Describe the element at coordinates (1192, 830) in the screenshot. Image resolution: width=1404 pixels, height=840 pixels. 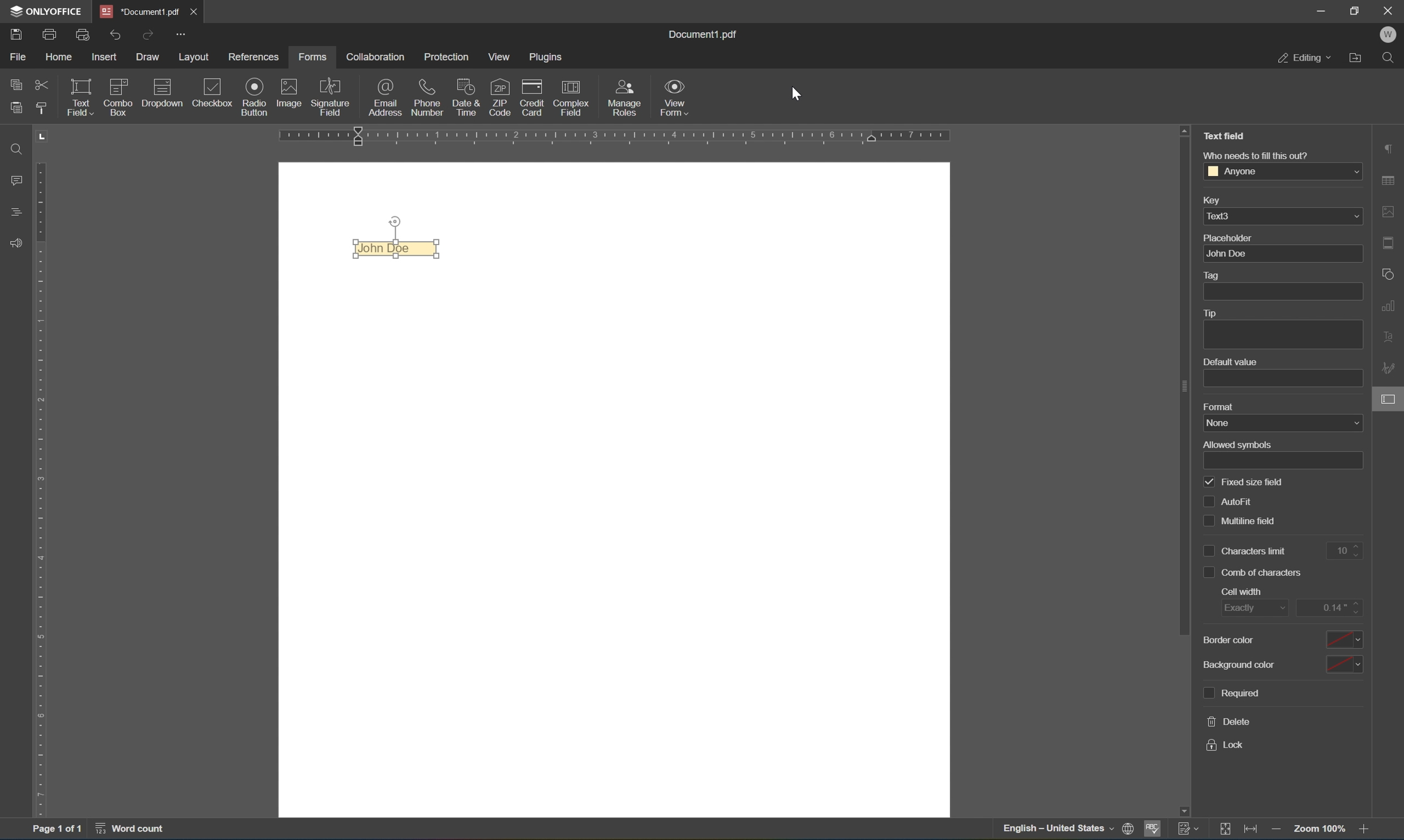
I see `track changes` at that location.